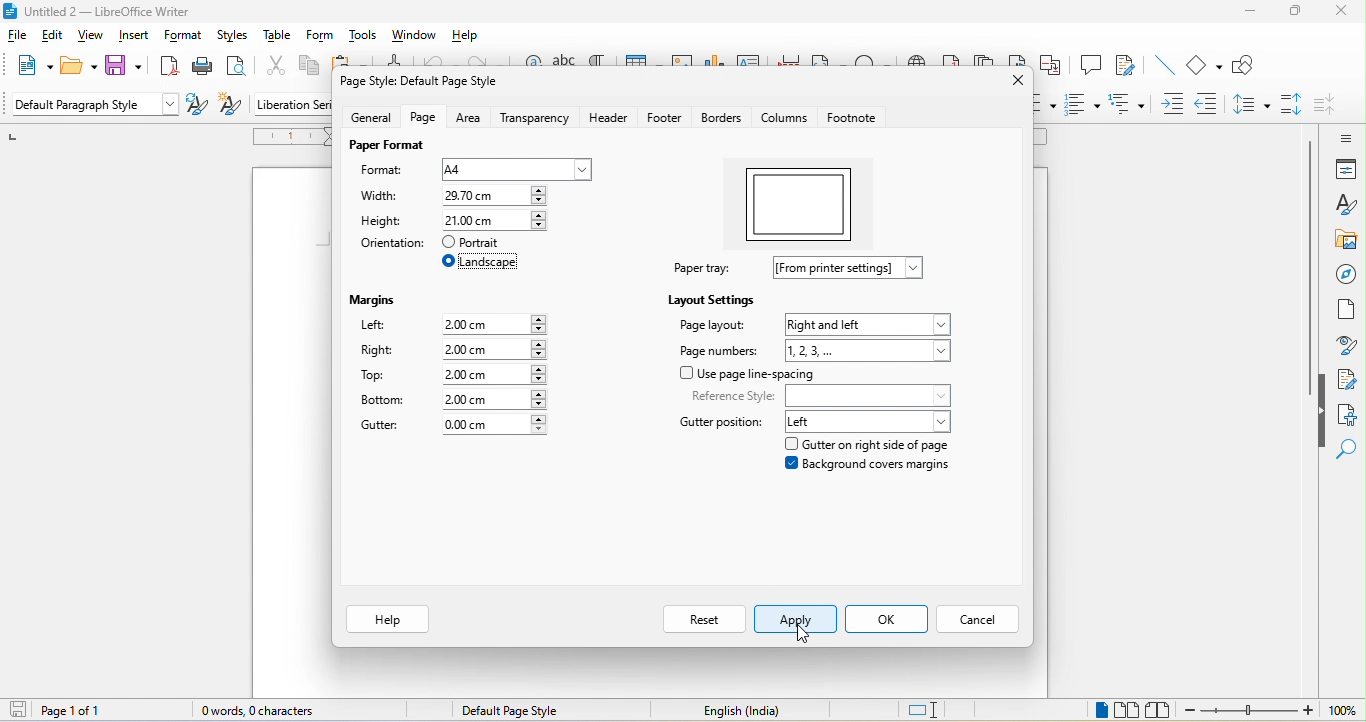 The width and height of the screenshot is (1366, 722). I want to click on layout settings, so click(712, 298).